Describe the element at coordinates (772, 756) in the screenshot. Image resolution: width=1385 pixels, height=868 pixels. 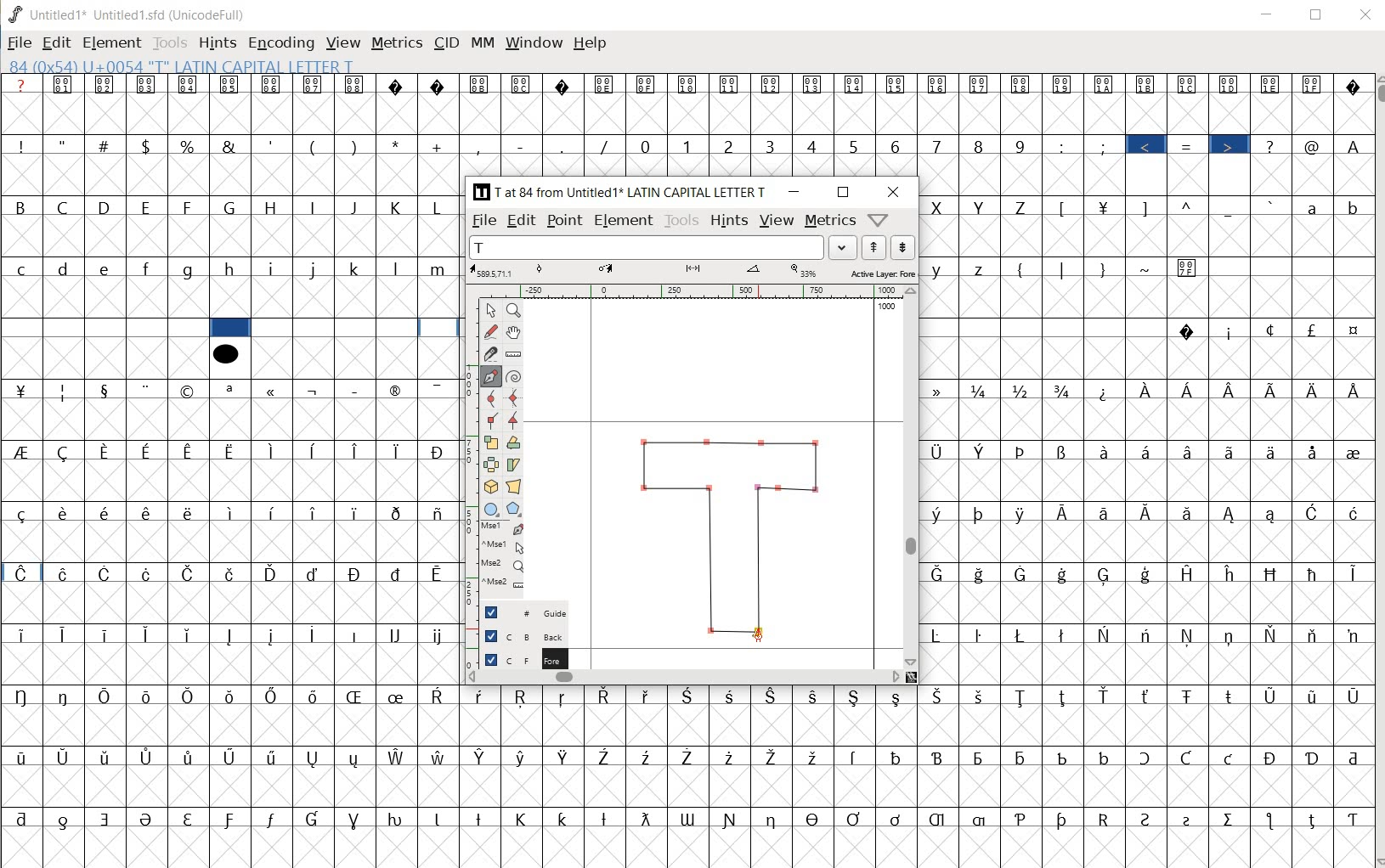
I see `Symbol` at that location.